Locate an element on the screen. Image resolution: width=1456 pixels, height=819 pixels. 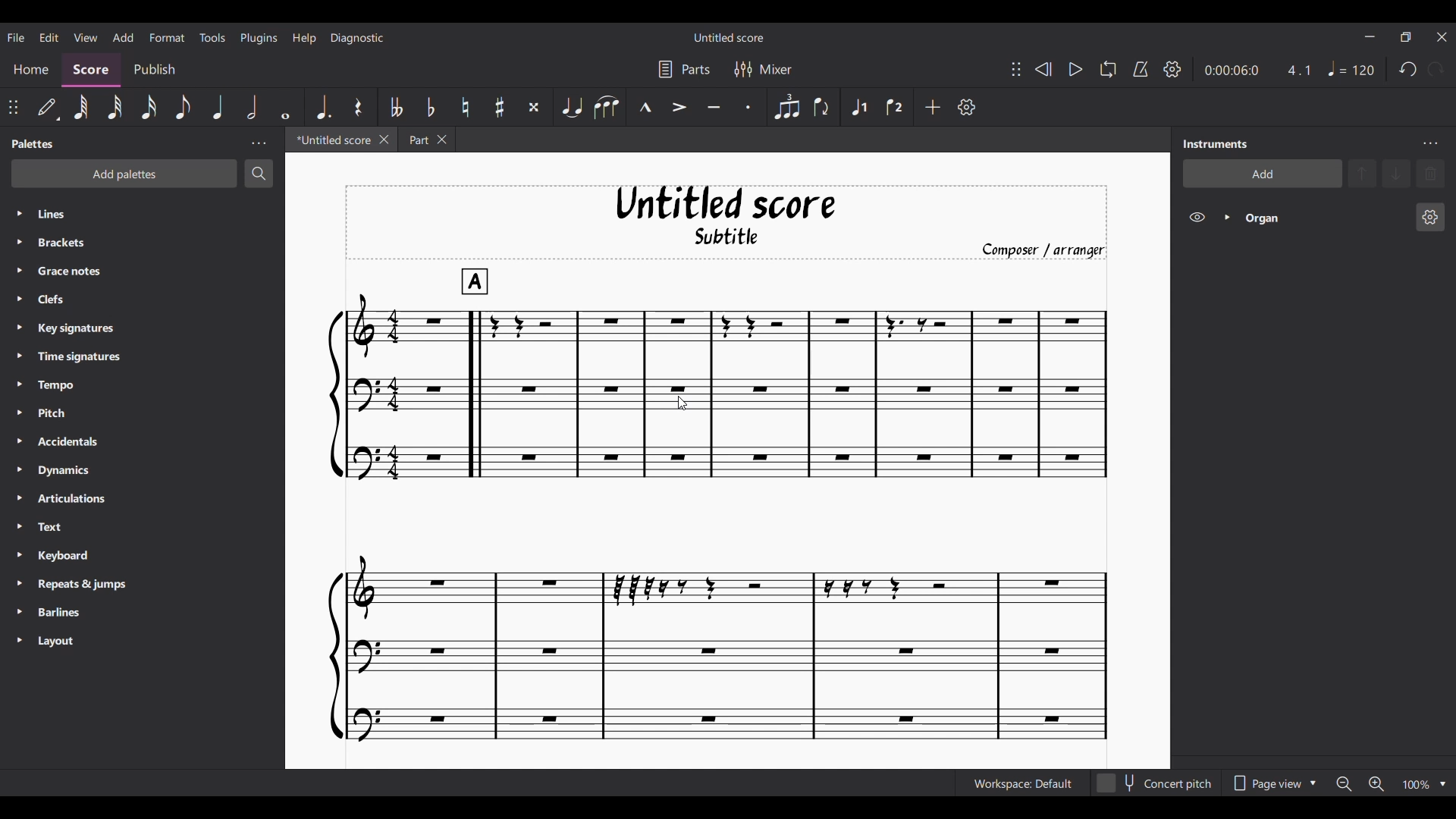
Add menu is located at coordinates (124, 36).